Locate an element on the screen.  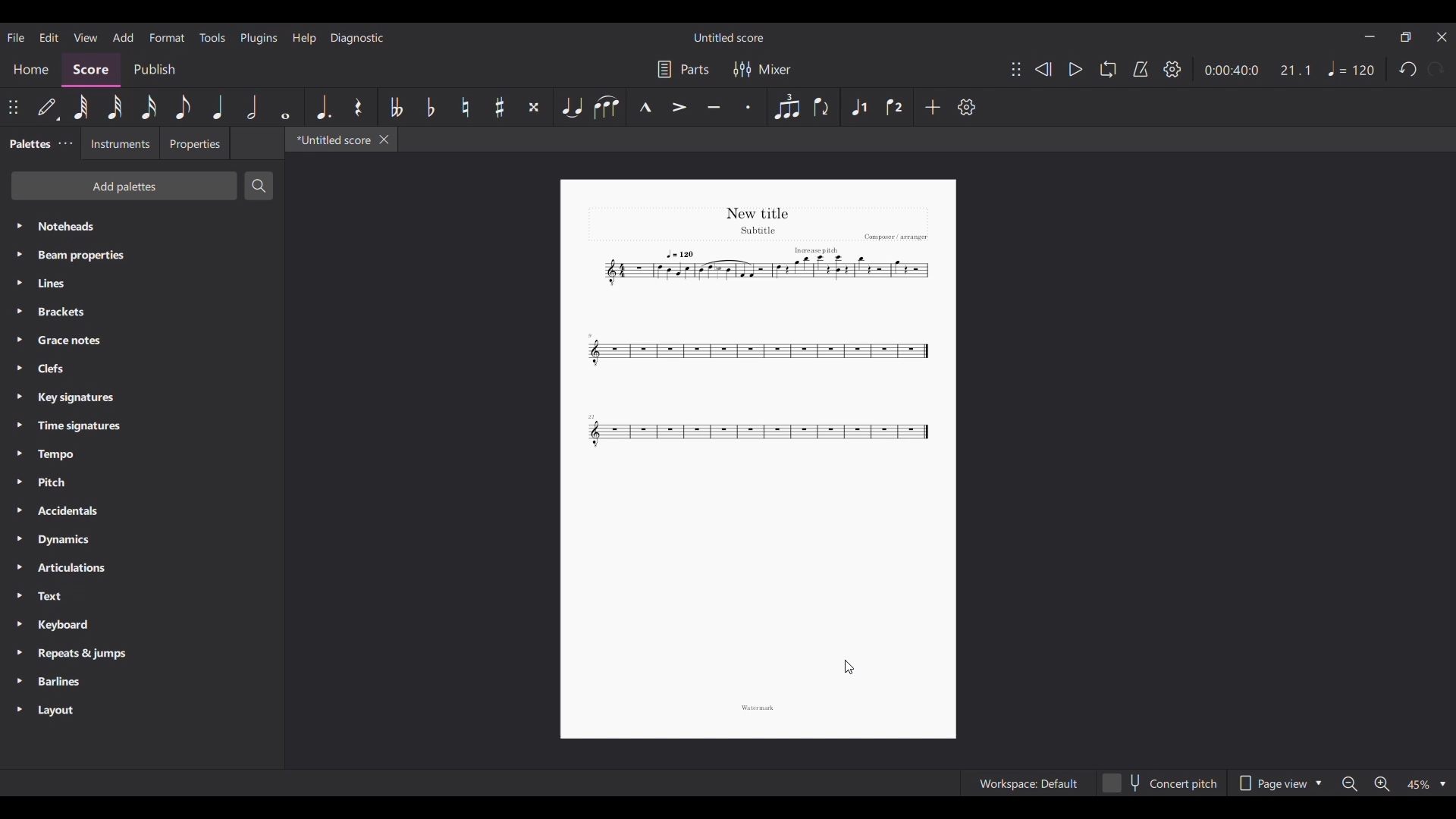
Toggle flat is located at coordinates (431, 107).